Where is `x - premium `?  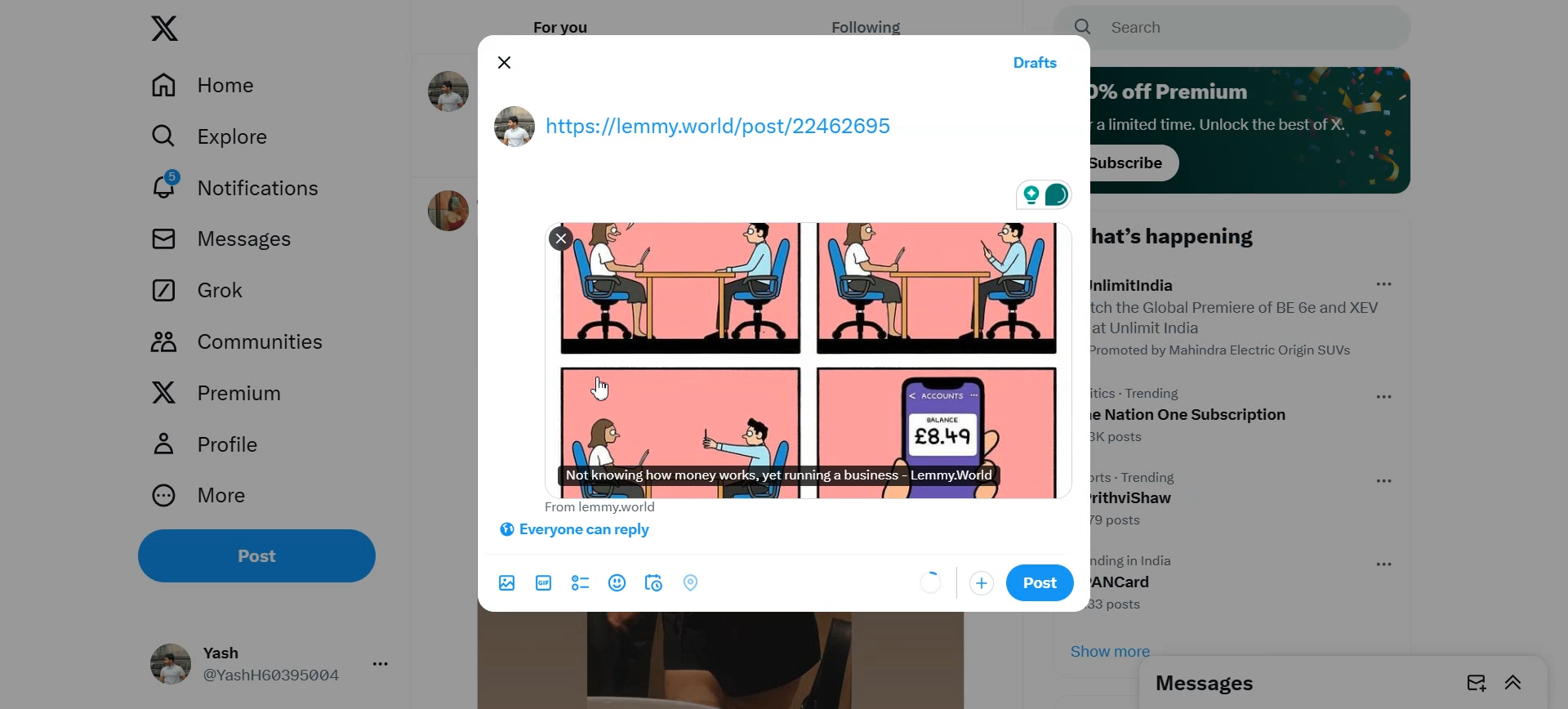
x - premium  is located at coordinates (224, 395).